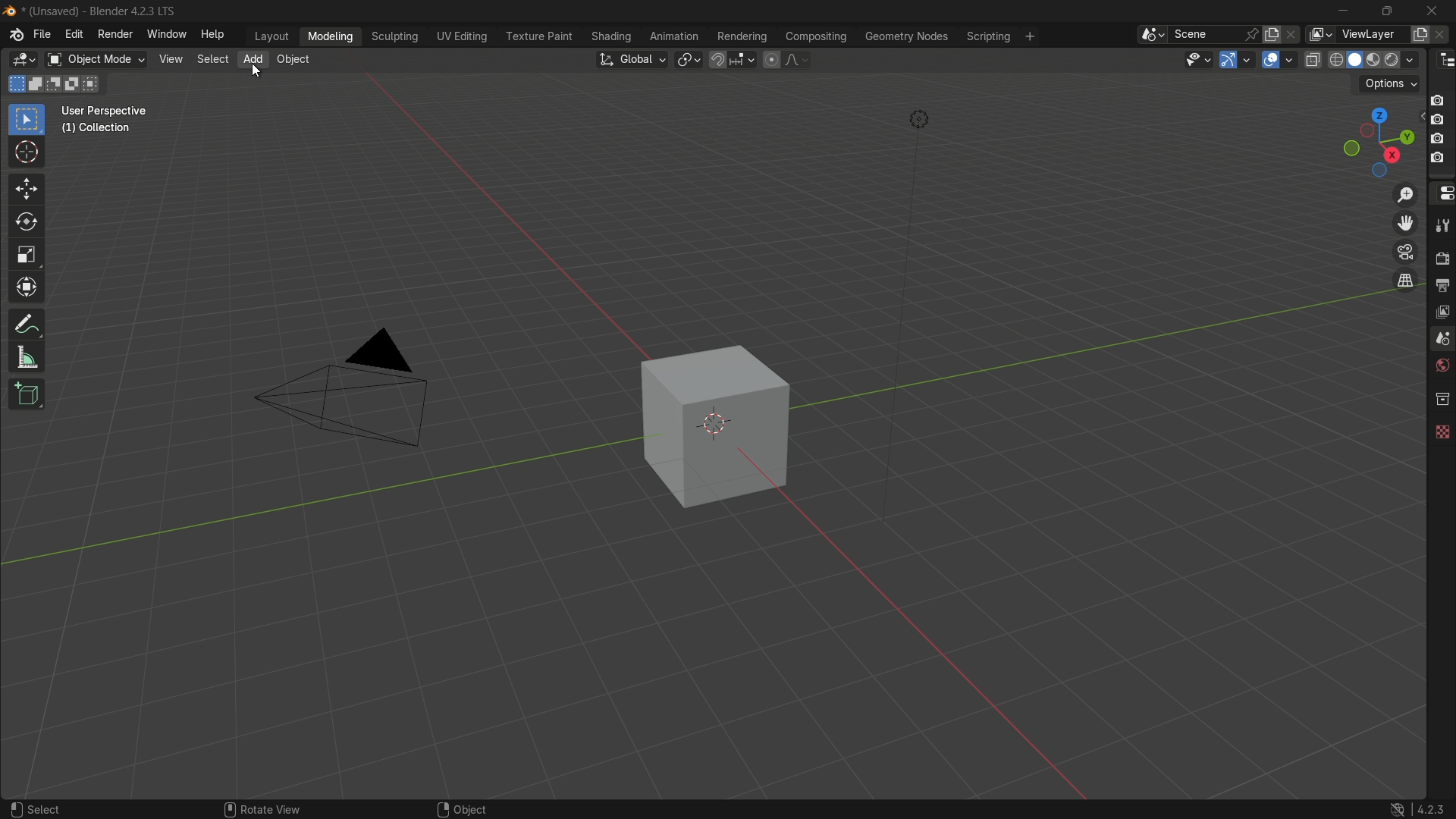  I want to click on switch mode, so click(94, 59).